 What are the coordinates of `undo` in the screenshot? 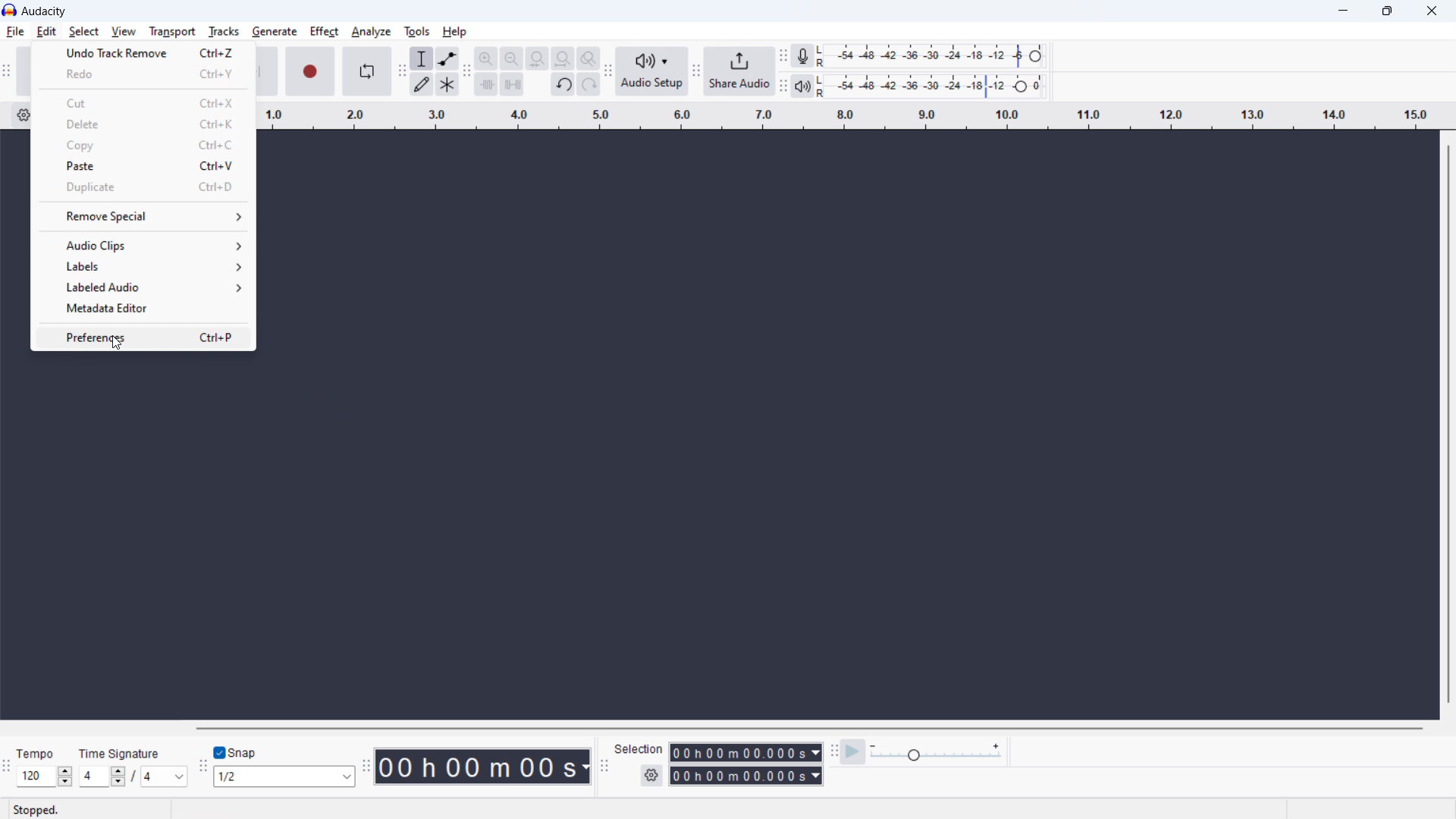 It's located at (563, 83).